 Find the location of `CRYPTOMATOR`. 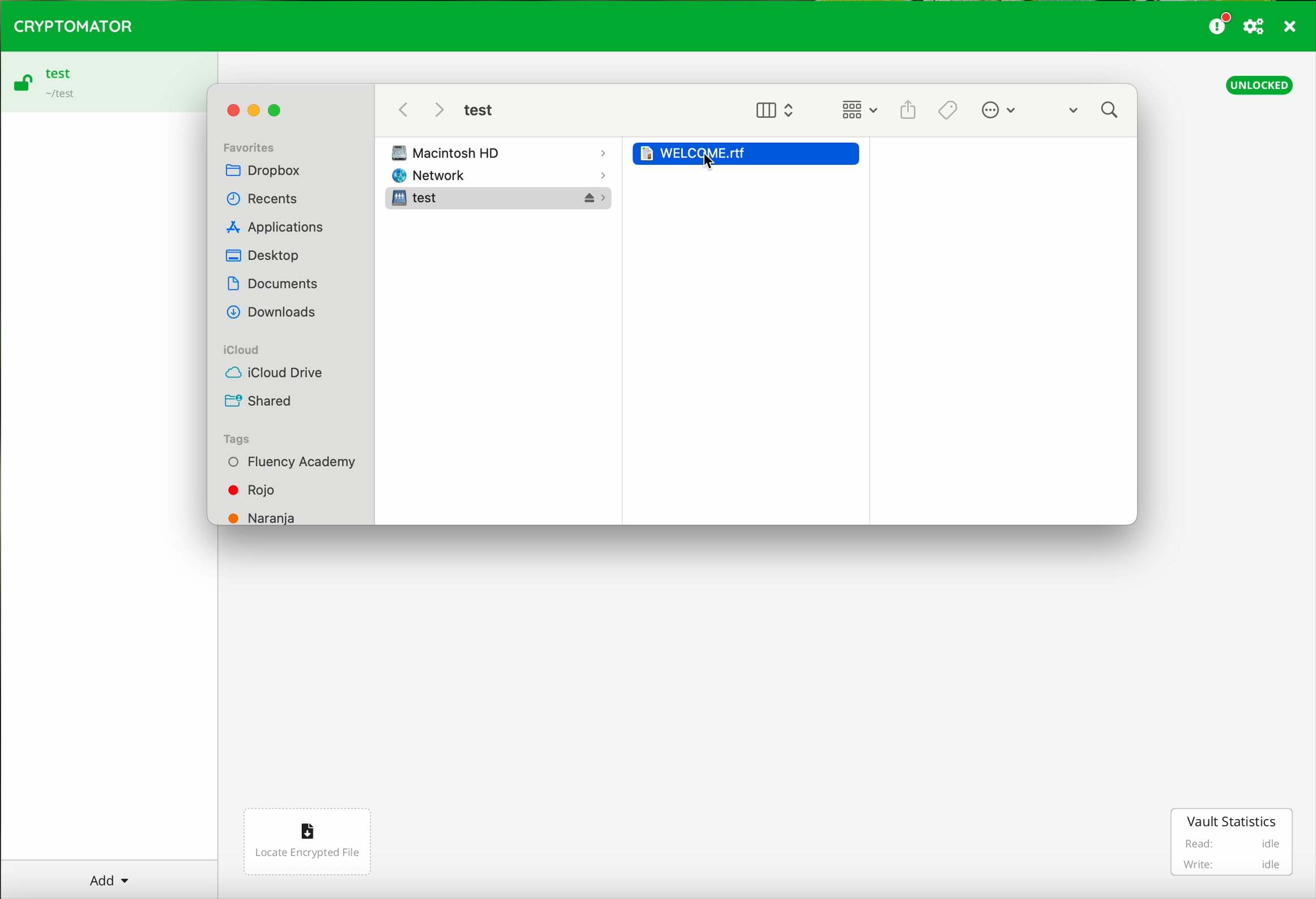

CRYPTOMATOR is located at coordinates (73, 24).